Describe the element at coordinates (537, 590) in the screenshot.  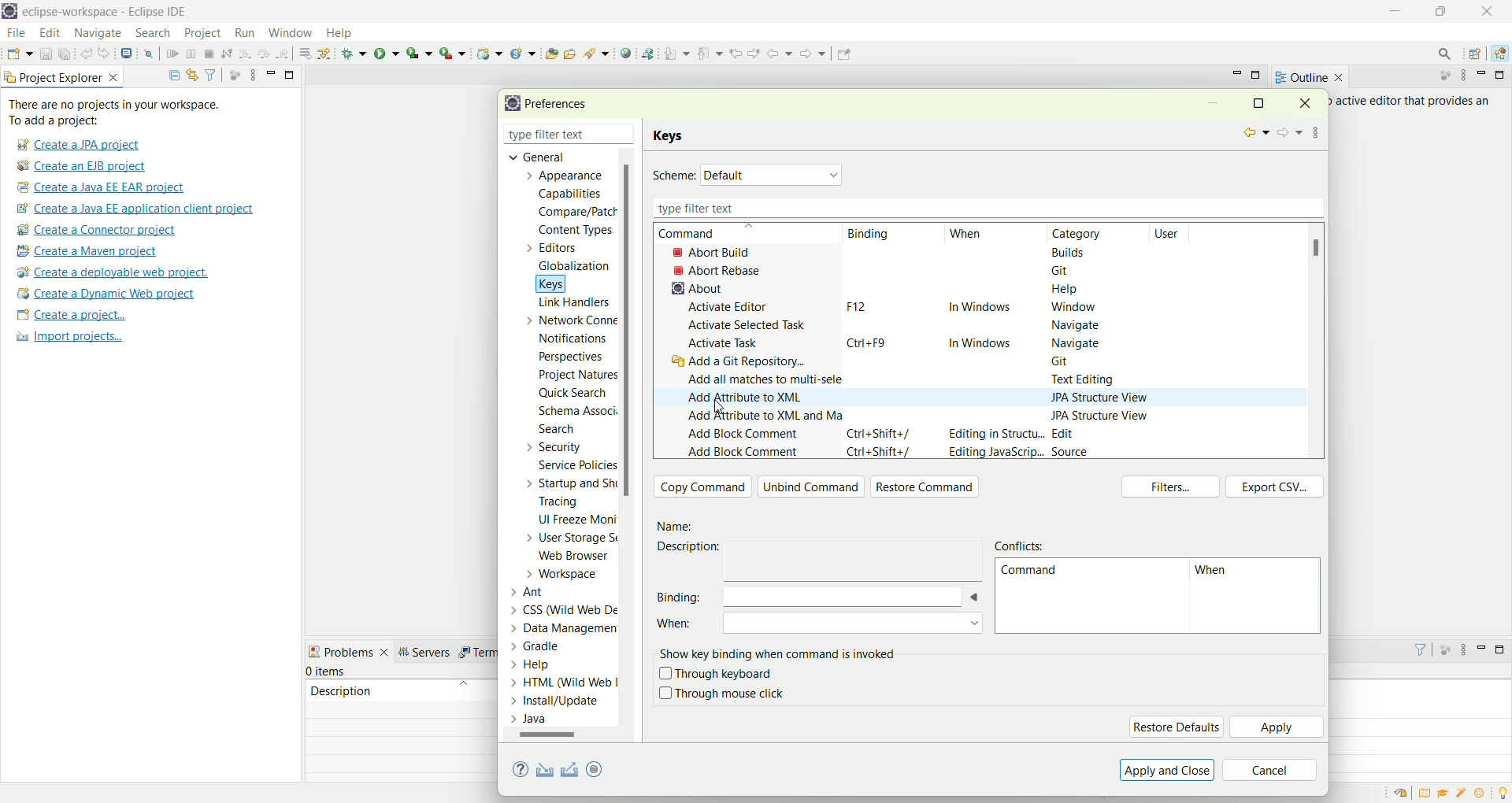
I see `Ant` at that location.